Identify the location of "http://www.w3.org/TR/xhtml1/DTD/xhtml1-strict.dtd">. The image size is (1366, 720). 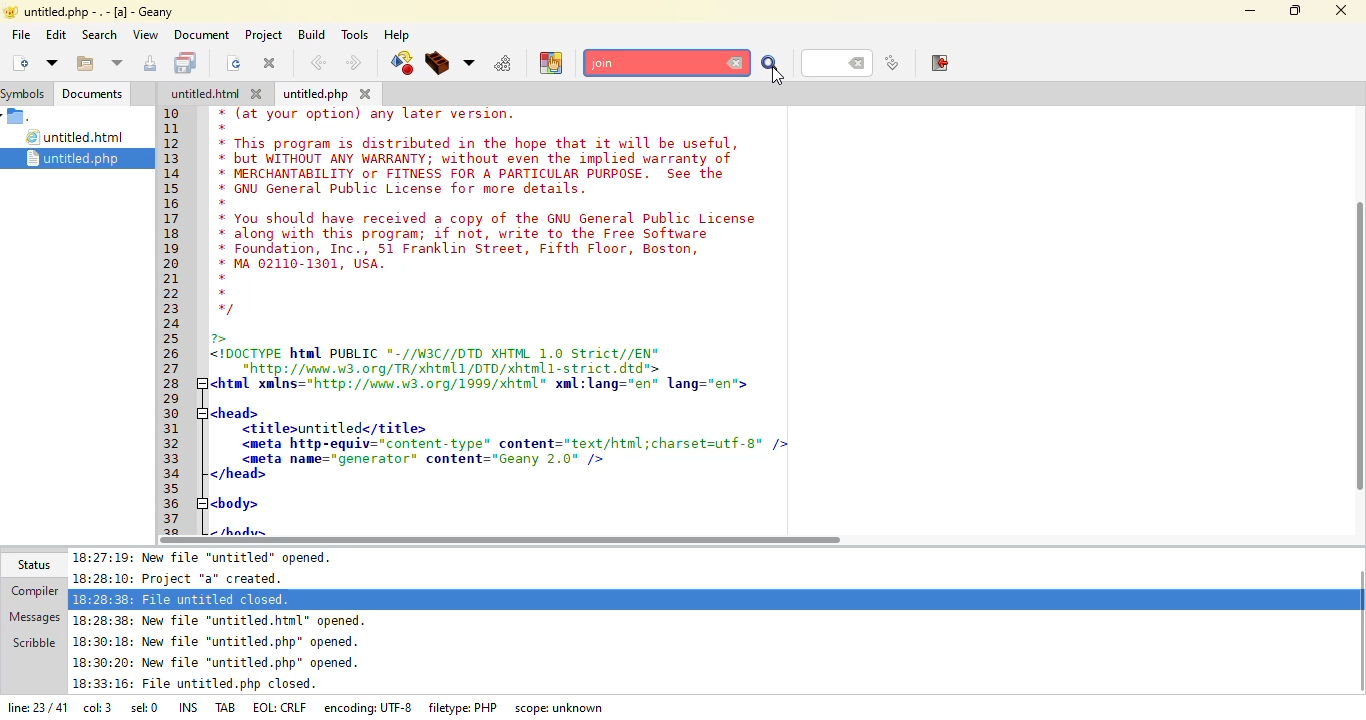
(437, 368).